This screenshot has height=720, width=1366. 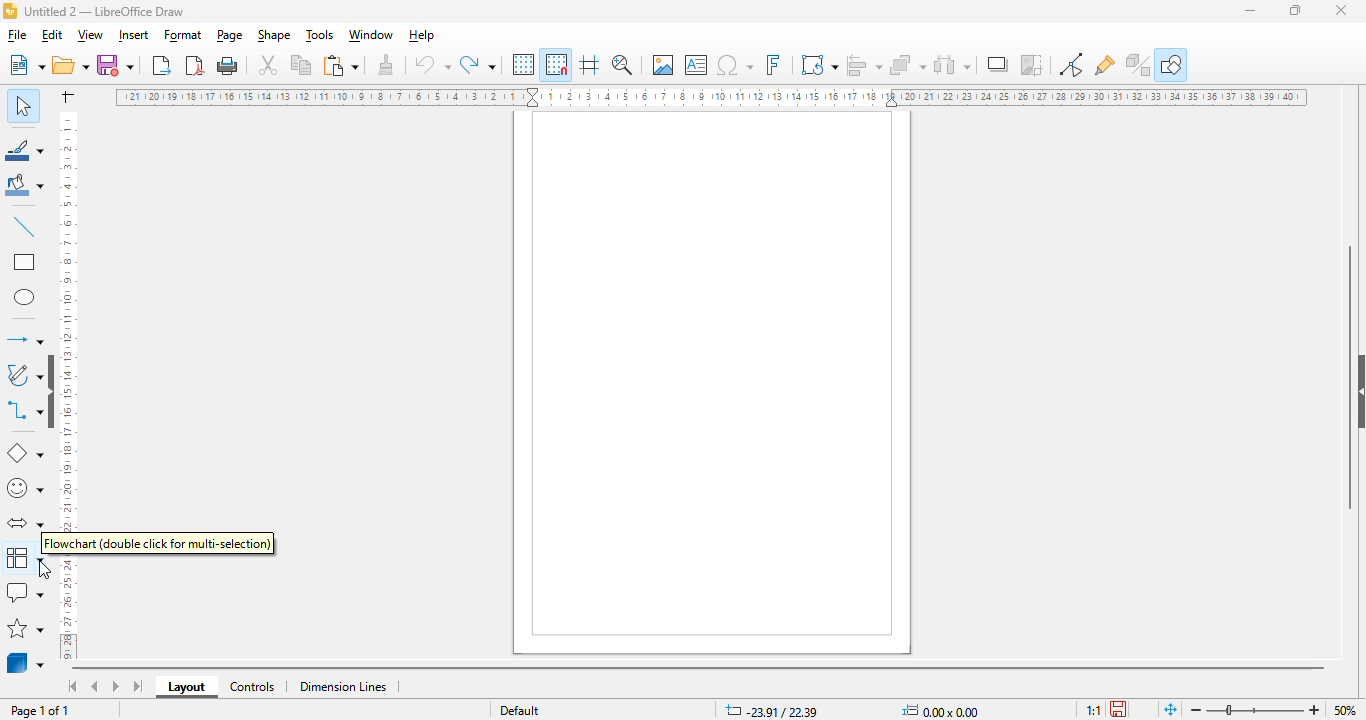 I want to click on basic shapes, so click(x=26, y=453).